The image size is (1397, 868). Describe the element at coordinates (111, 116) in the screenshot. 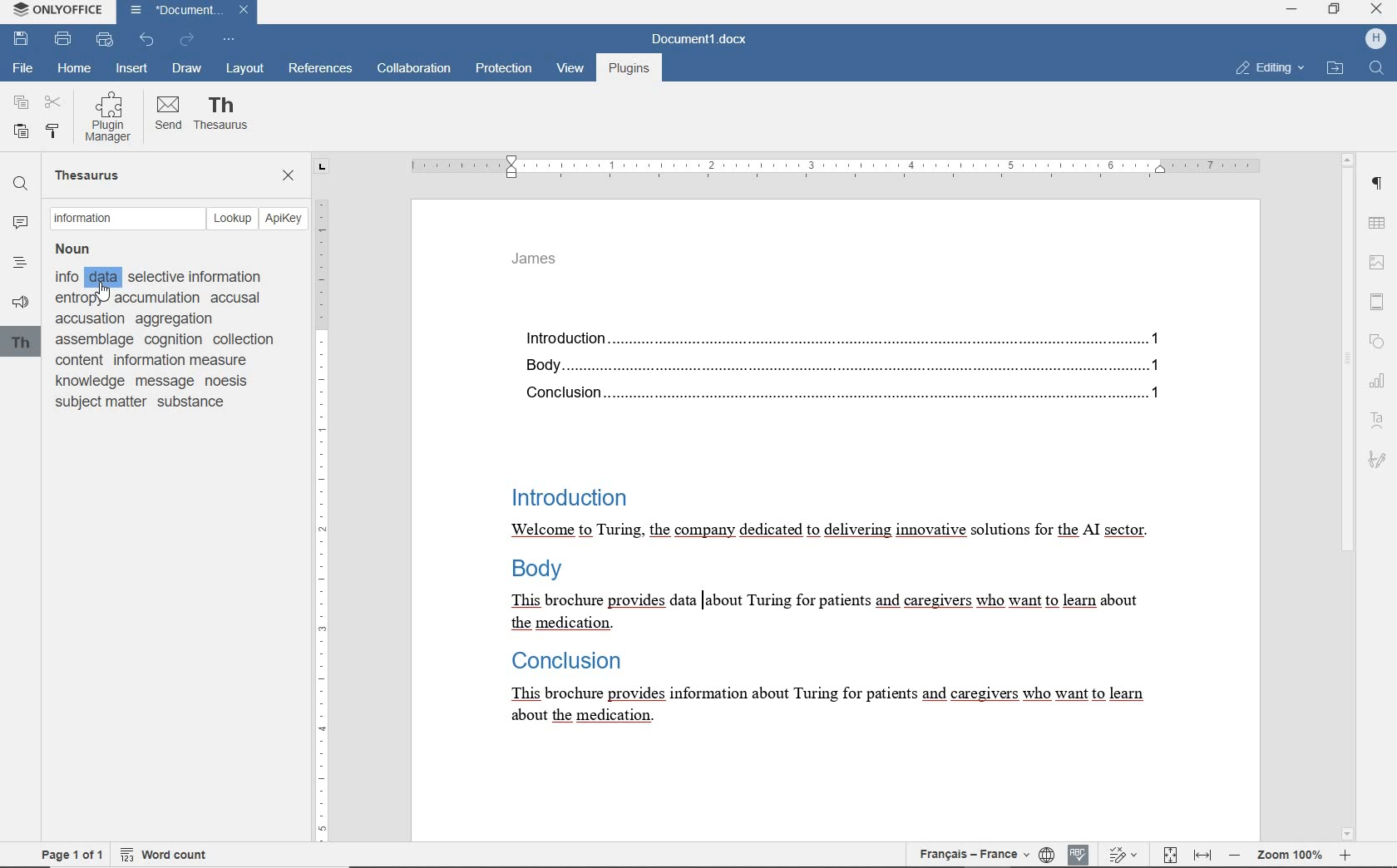

I see `PLUGIN MANAGER` at that location.